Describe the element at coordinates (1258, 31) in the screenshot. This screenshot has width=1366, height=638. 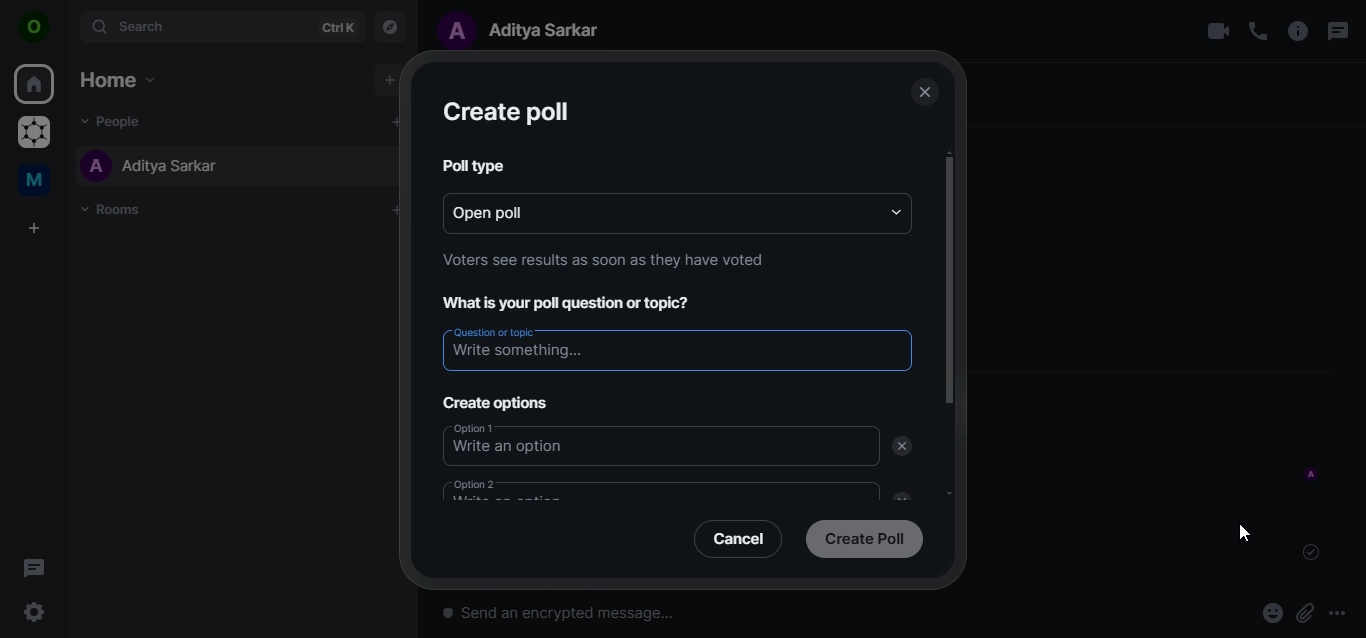
I see `voice call` at that location.